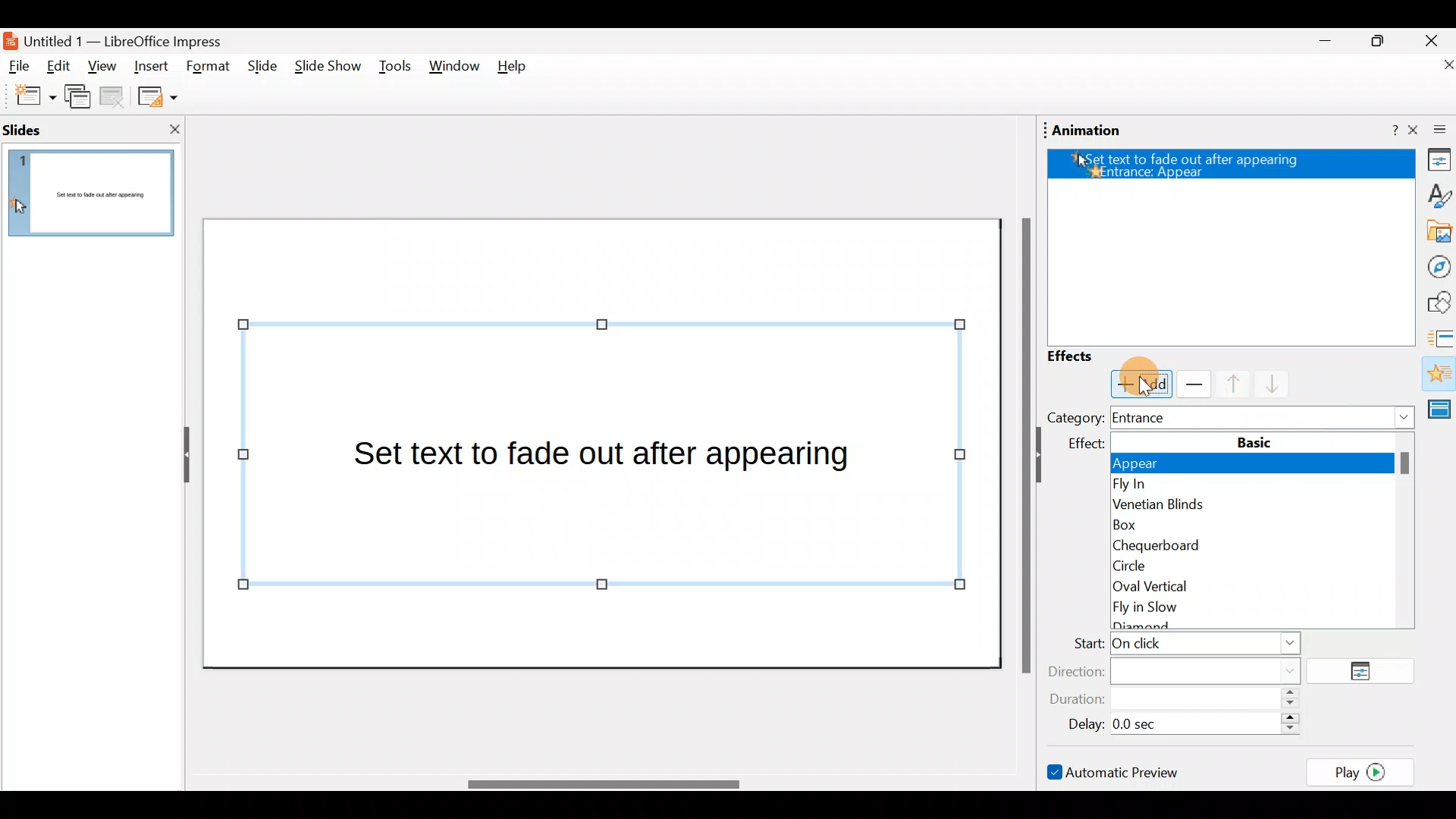 The height and width of the screenshot is (819, 1456). I want to click on Maximise, so click(1383, 41).